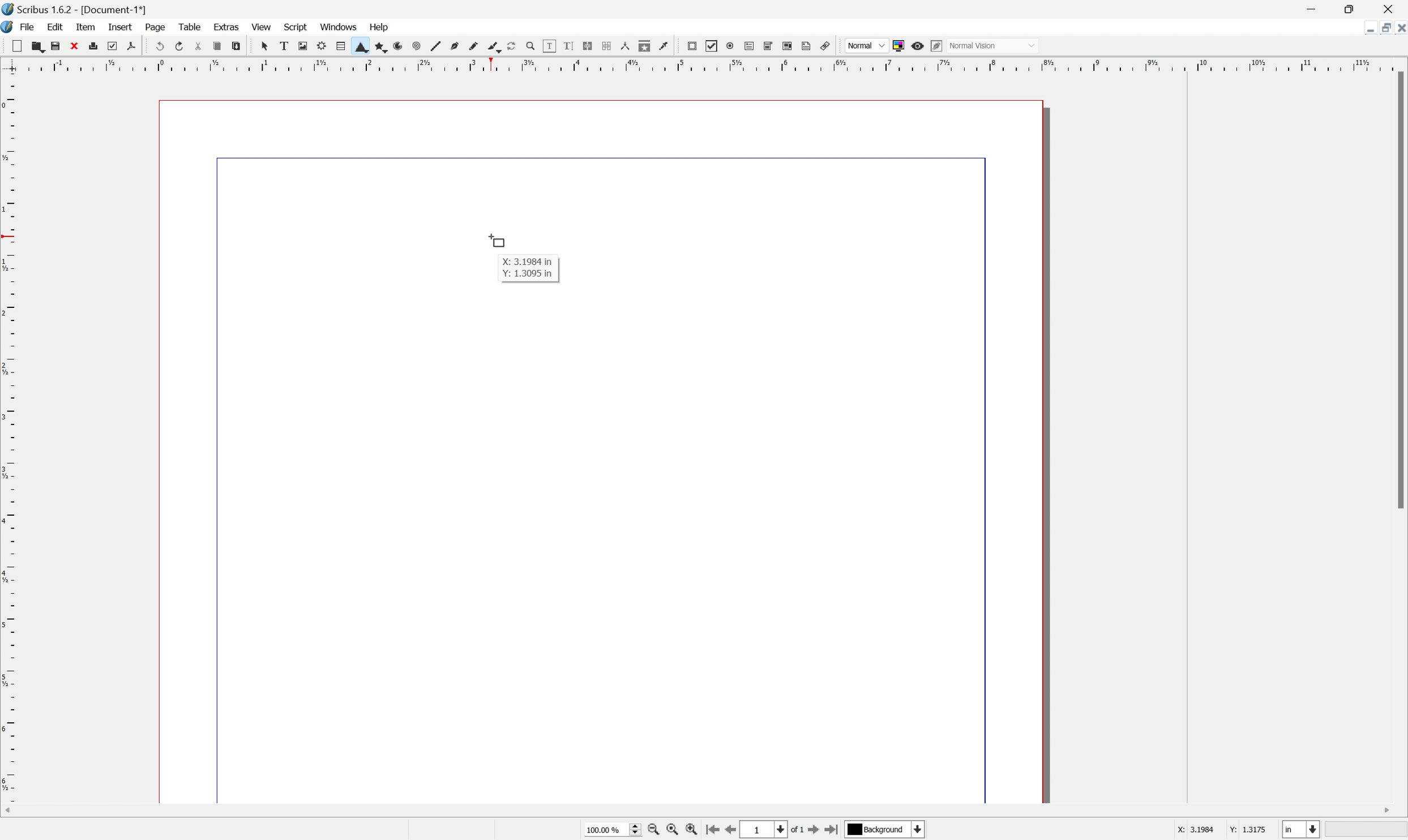  I want to click on X: 3.1984 in, so click(527, 260).